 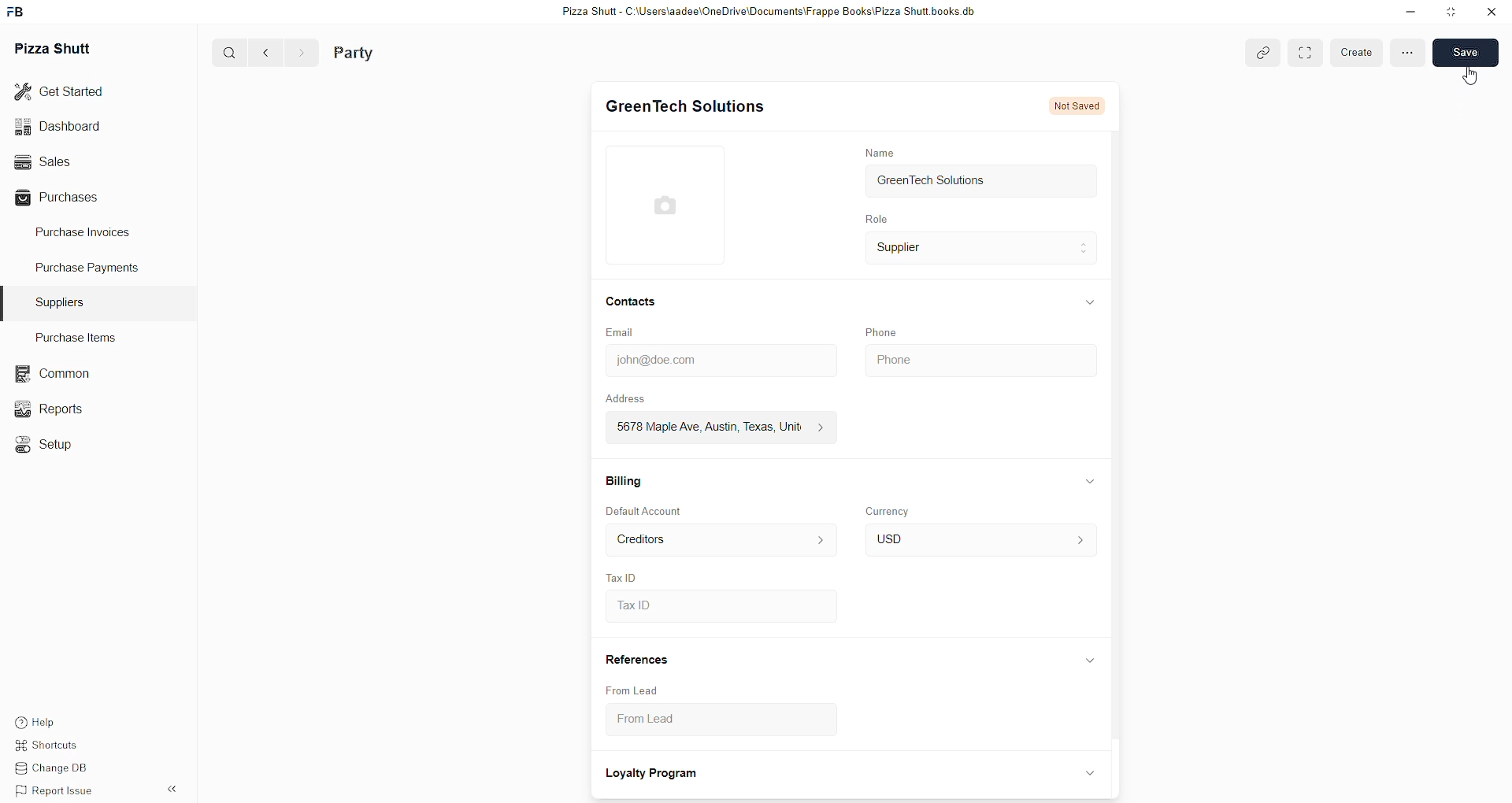 I want to click on Billing, so click(x=624, y=479).